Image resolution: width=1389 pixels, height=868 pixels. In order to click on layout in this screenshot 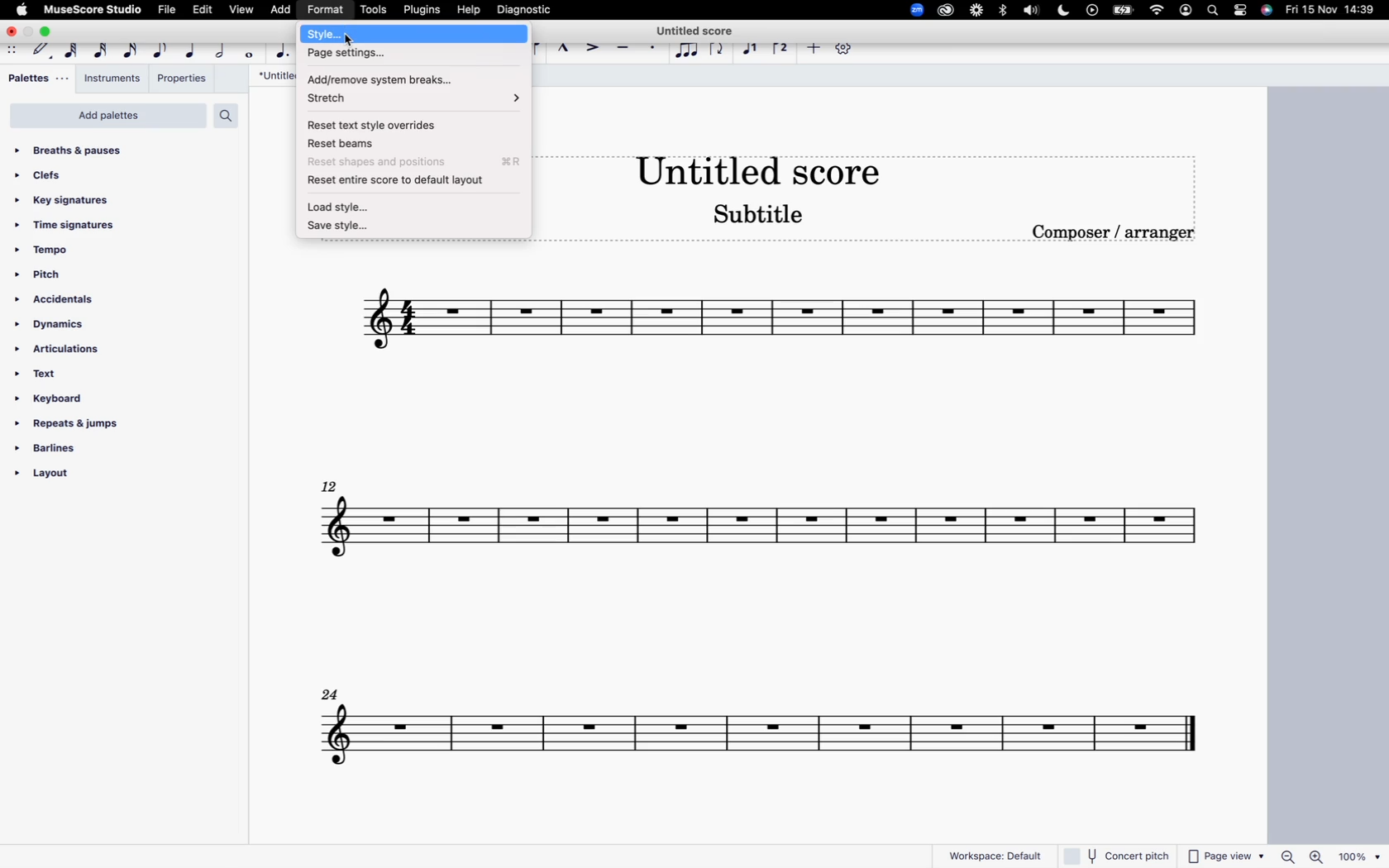, I will do `click(70, 477)`.